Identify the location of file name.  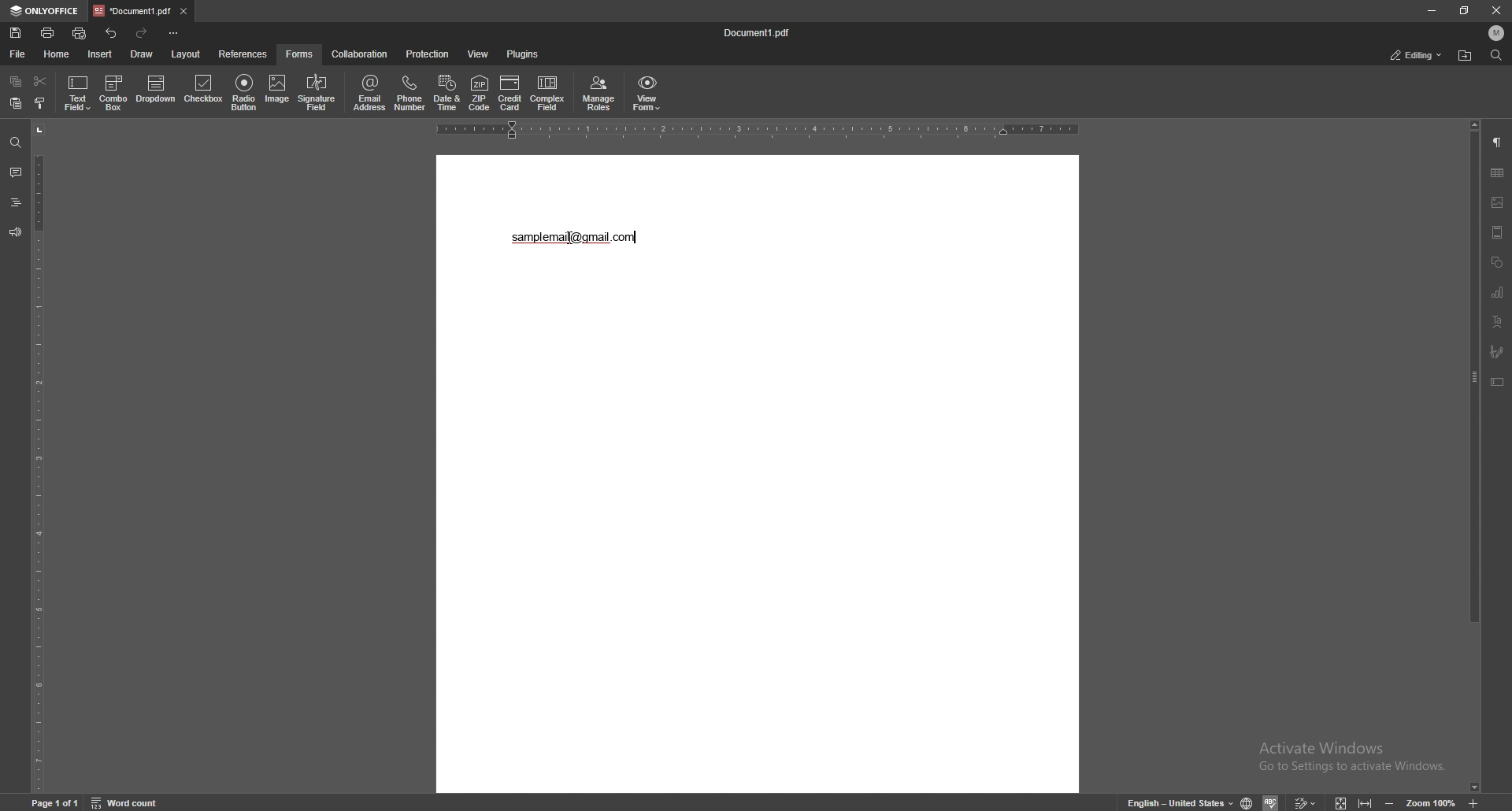
(762, 32).